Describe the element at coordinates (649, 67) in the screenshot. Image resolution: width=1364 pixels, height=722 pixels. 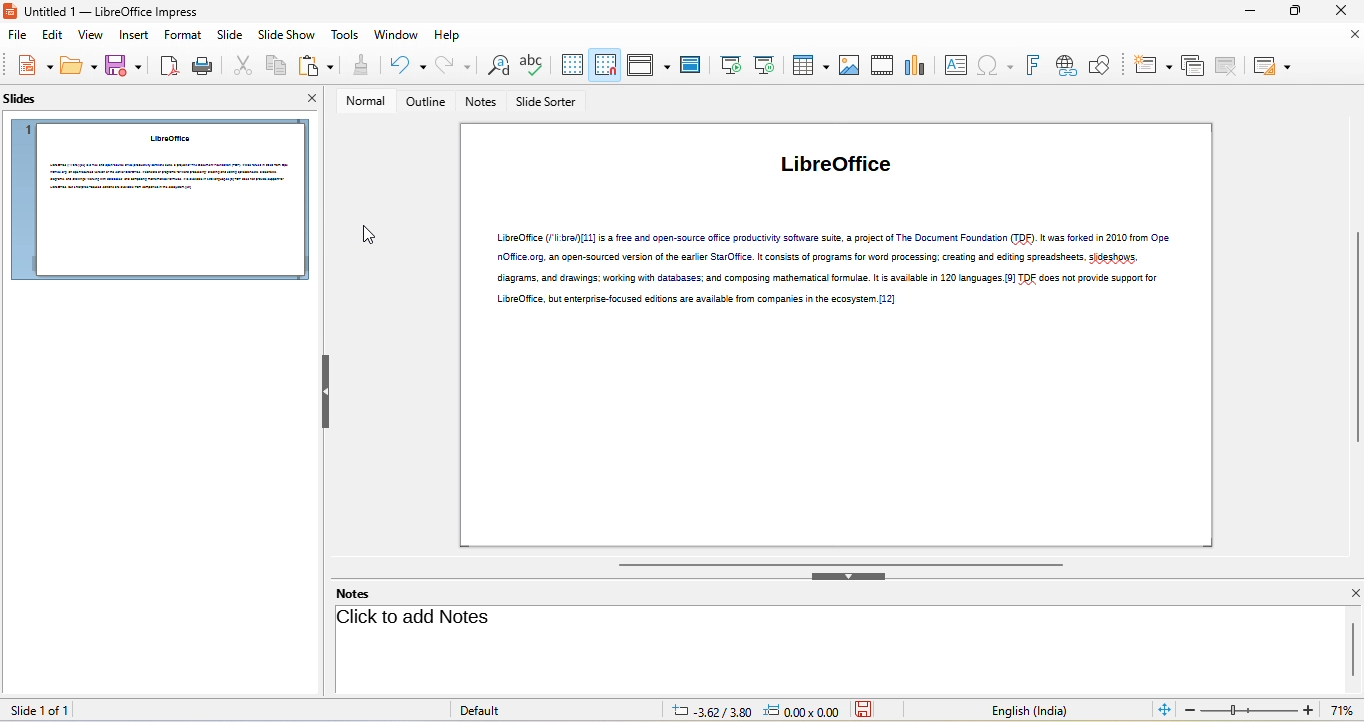
I see `display view` at that location.